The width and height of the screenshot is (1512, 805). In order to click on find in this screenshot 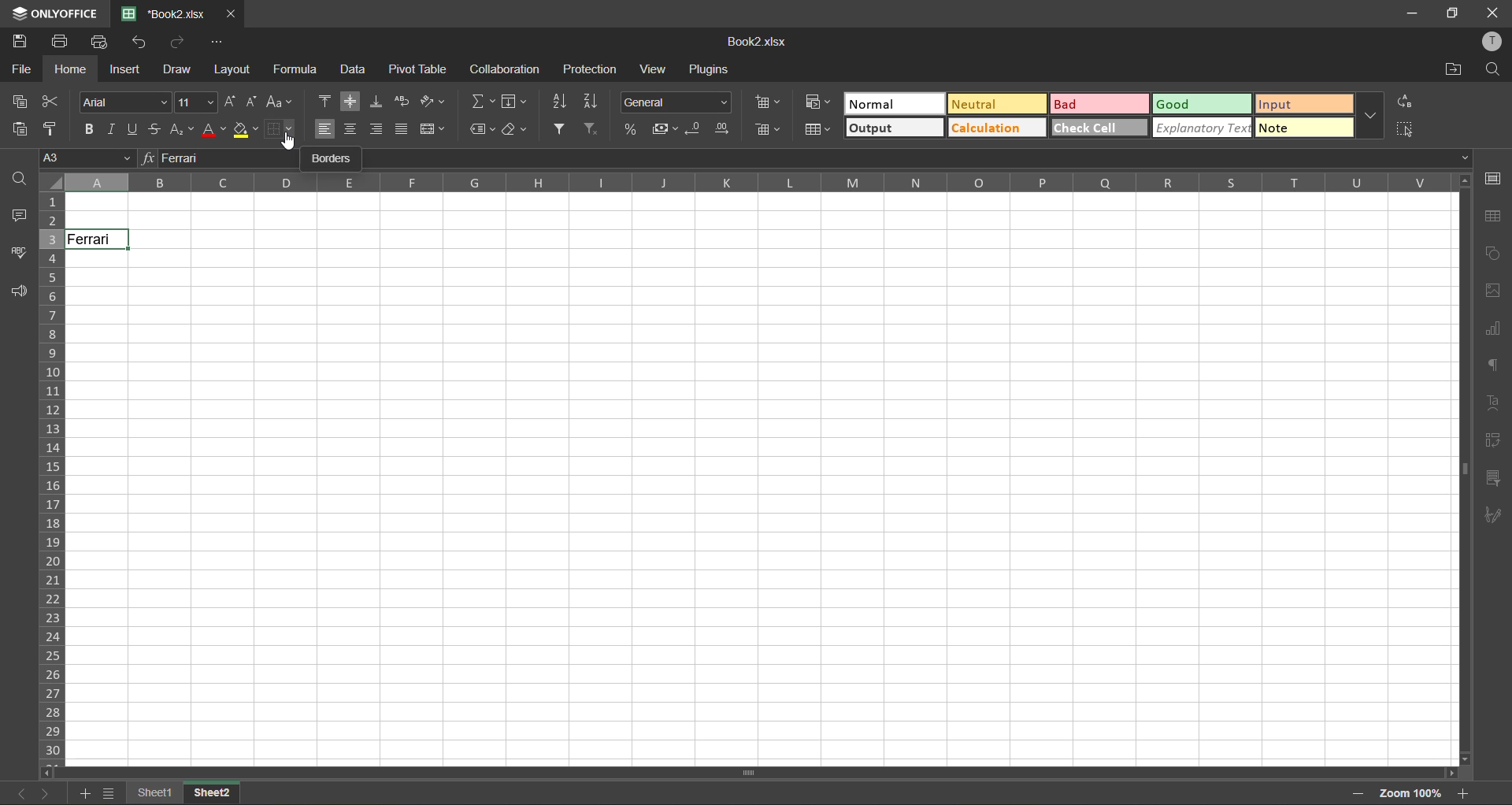, I will do `click(1493, 70)`.